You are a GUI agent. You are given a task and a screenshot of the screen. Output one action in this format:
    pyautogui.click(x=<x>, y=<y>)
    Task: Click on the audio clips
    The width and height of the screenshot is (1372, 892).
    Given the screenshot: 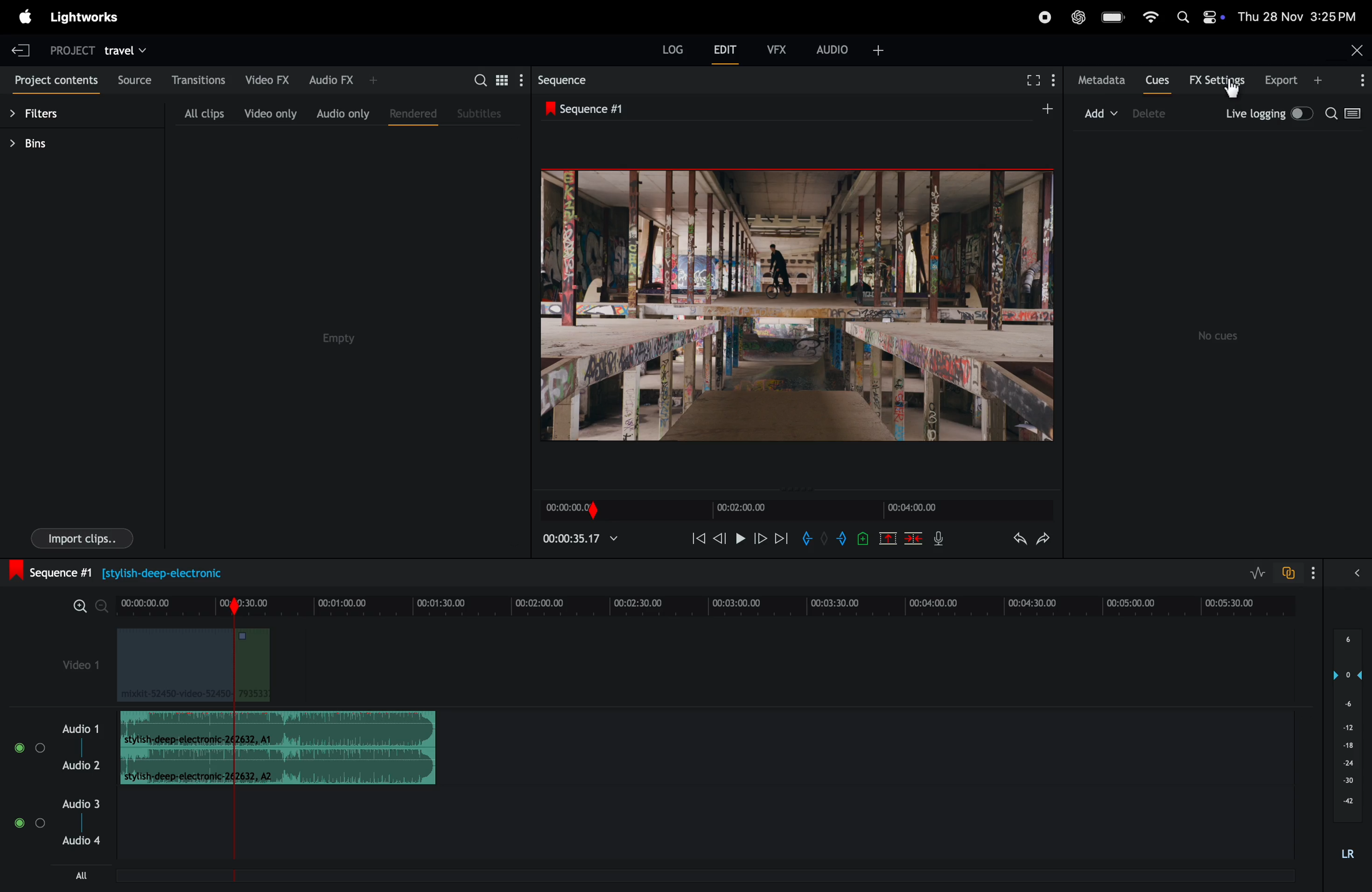 What is the action you would take?
    pyautogui.click(x=278, y=748)
    